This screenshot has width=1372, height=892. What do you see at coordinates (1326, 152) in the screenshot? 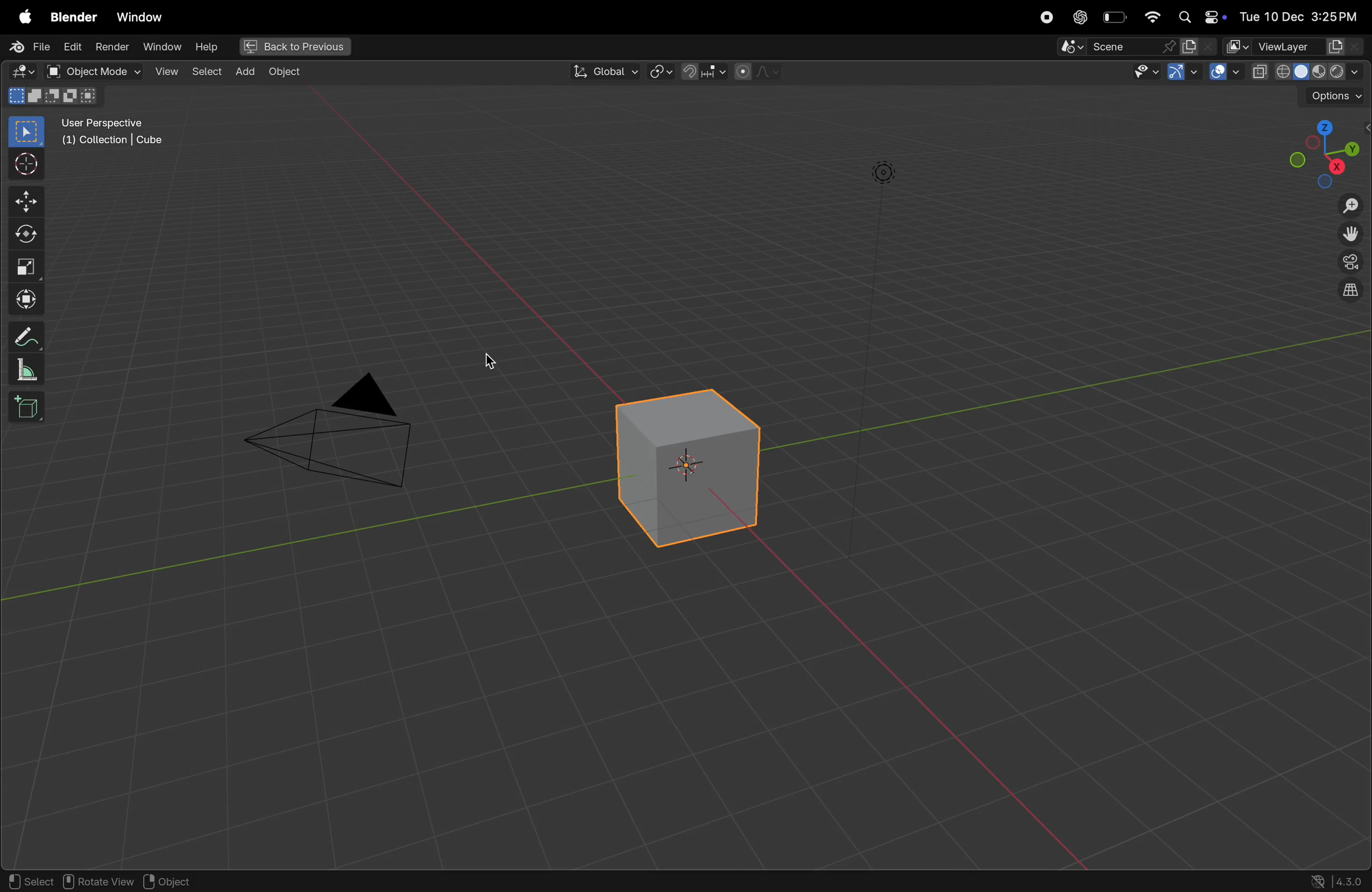
I see `View point` at bounding box center [1326, 152].